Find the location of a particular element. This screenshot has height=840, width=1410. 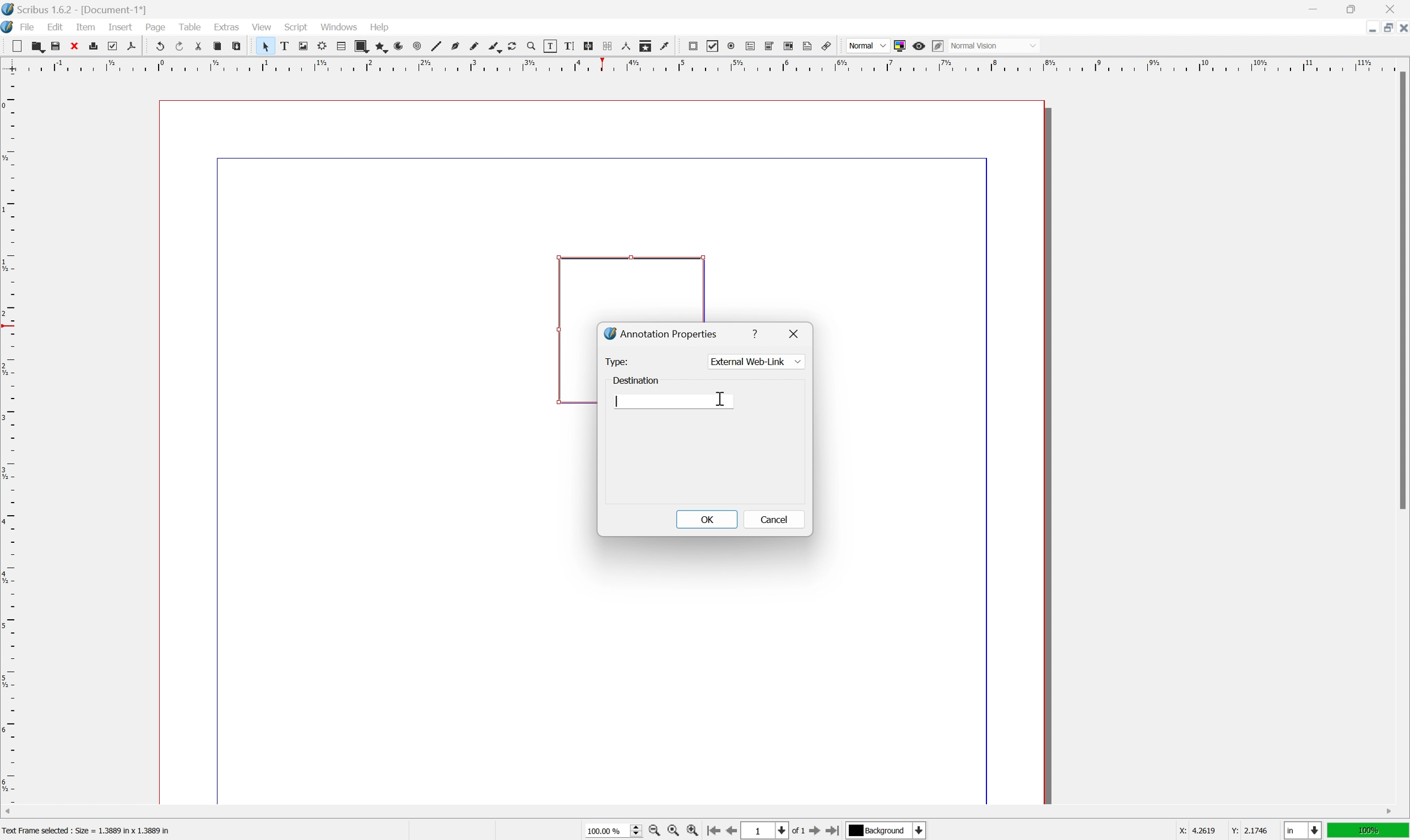

normal is located at coordinates (867, 44).